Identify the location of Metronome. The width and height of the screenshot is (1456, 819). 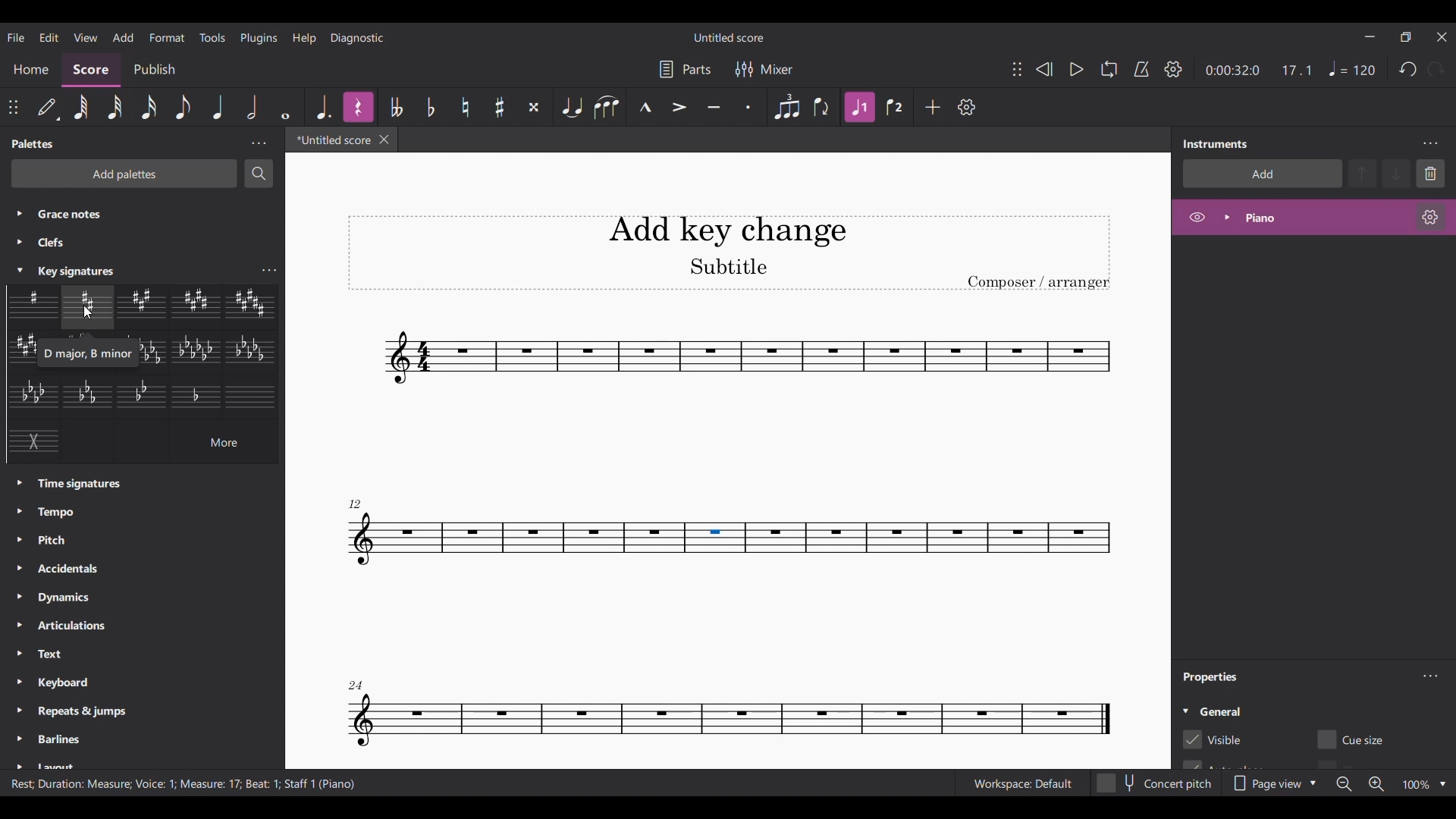
(1141, 68).